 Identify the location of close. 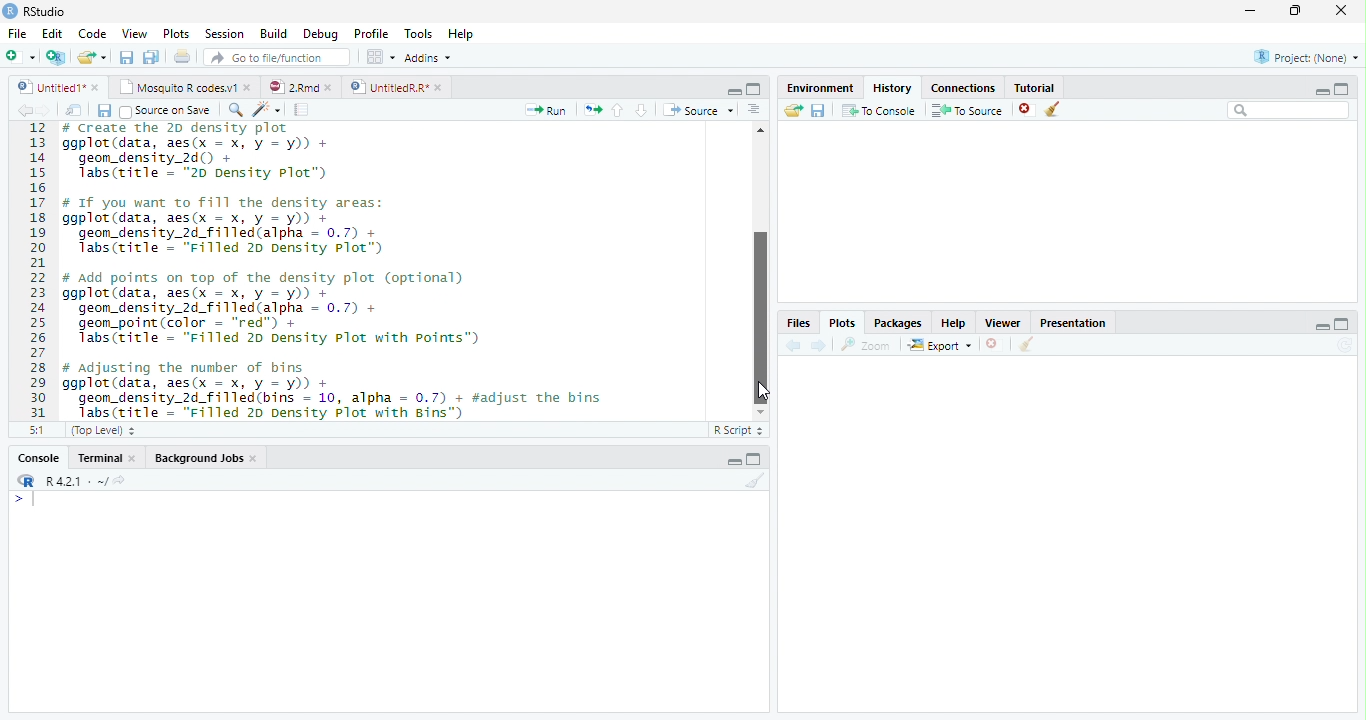
(993, 344).